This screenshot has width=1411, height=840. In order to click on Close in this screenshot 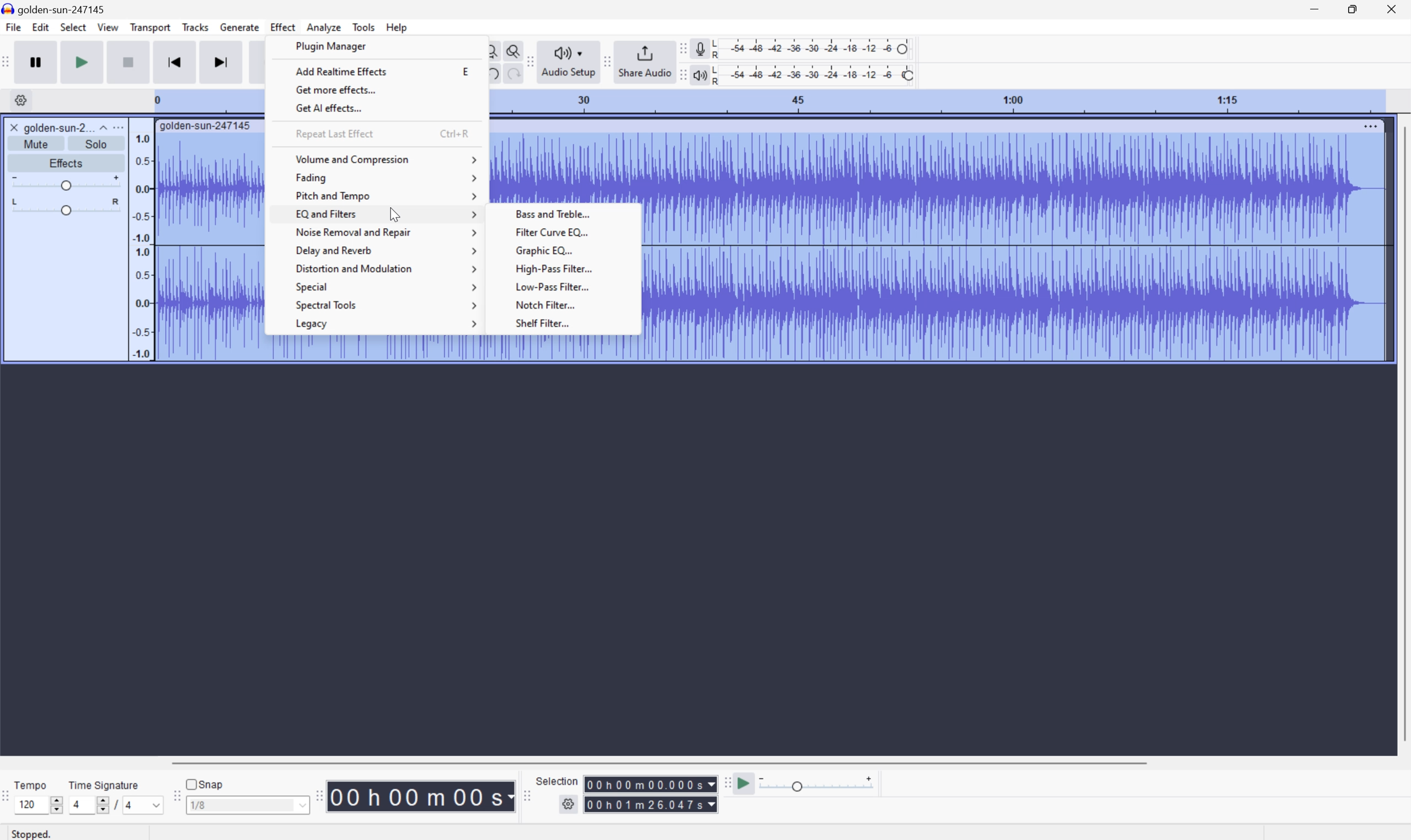, I will do `click(1392, 8)`.